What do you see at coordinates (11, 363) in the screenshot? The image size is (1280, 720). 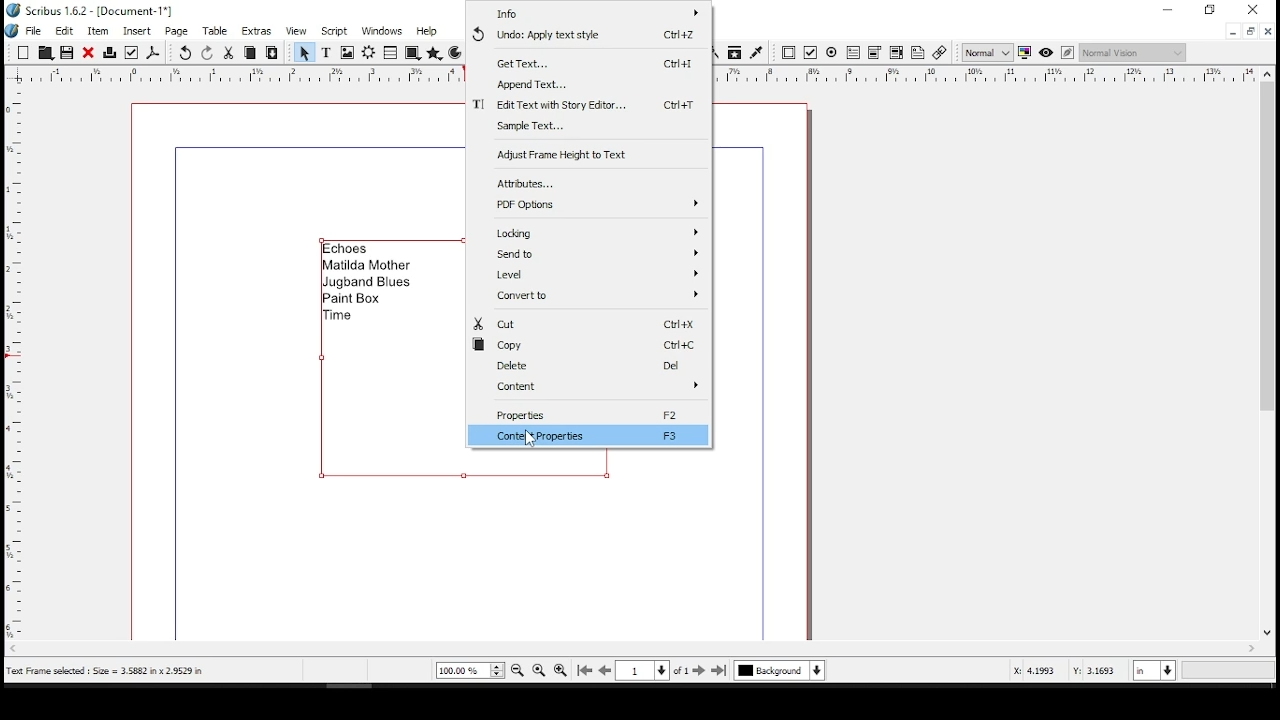 I see `vertical scale` at bounding box center [11, 363].